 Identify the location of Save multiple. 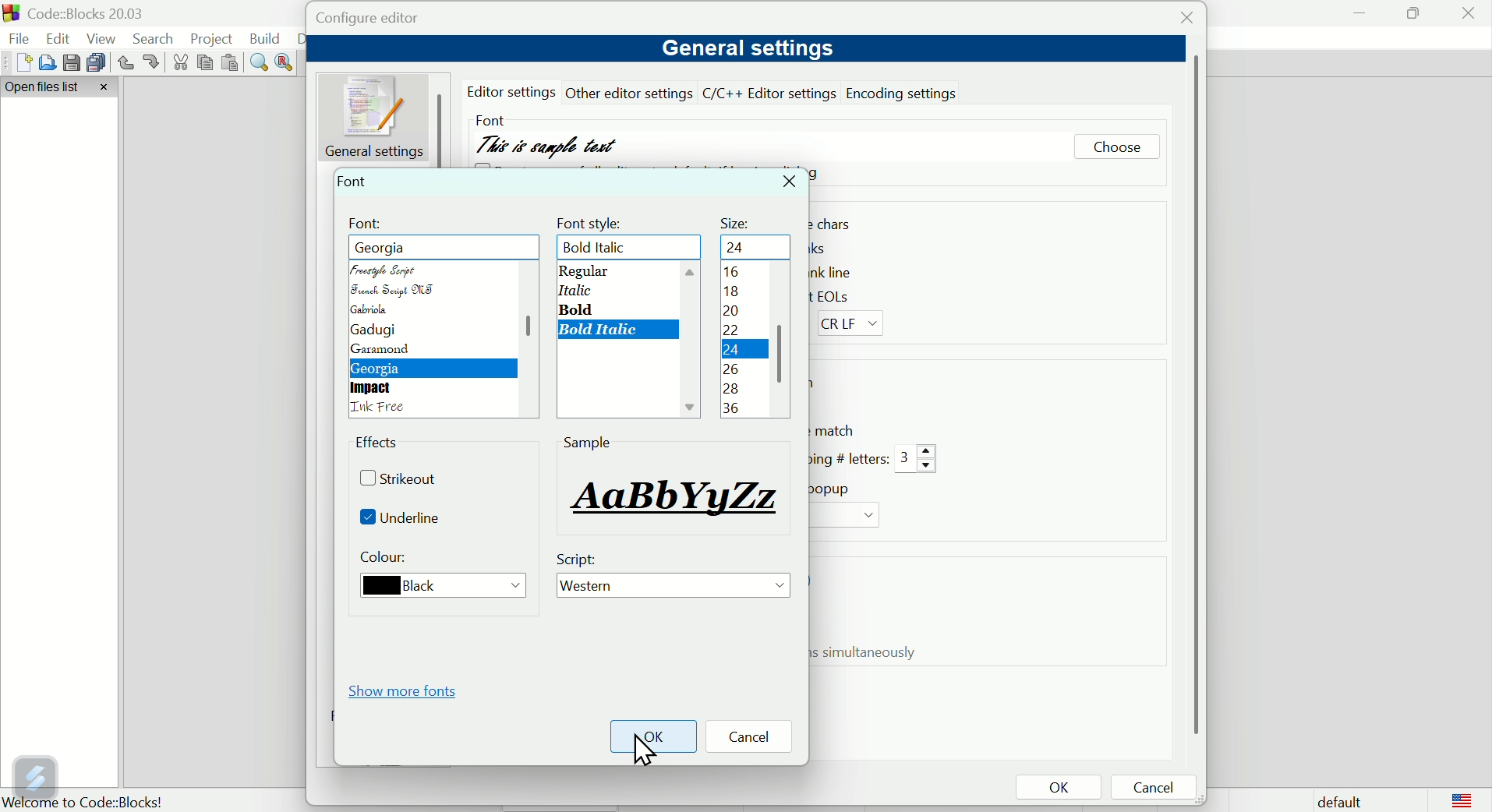
(97, 62).